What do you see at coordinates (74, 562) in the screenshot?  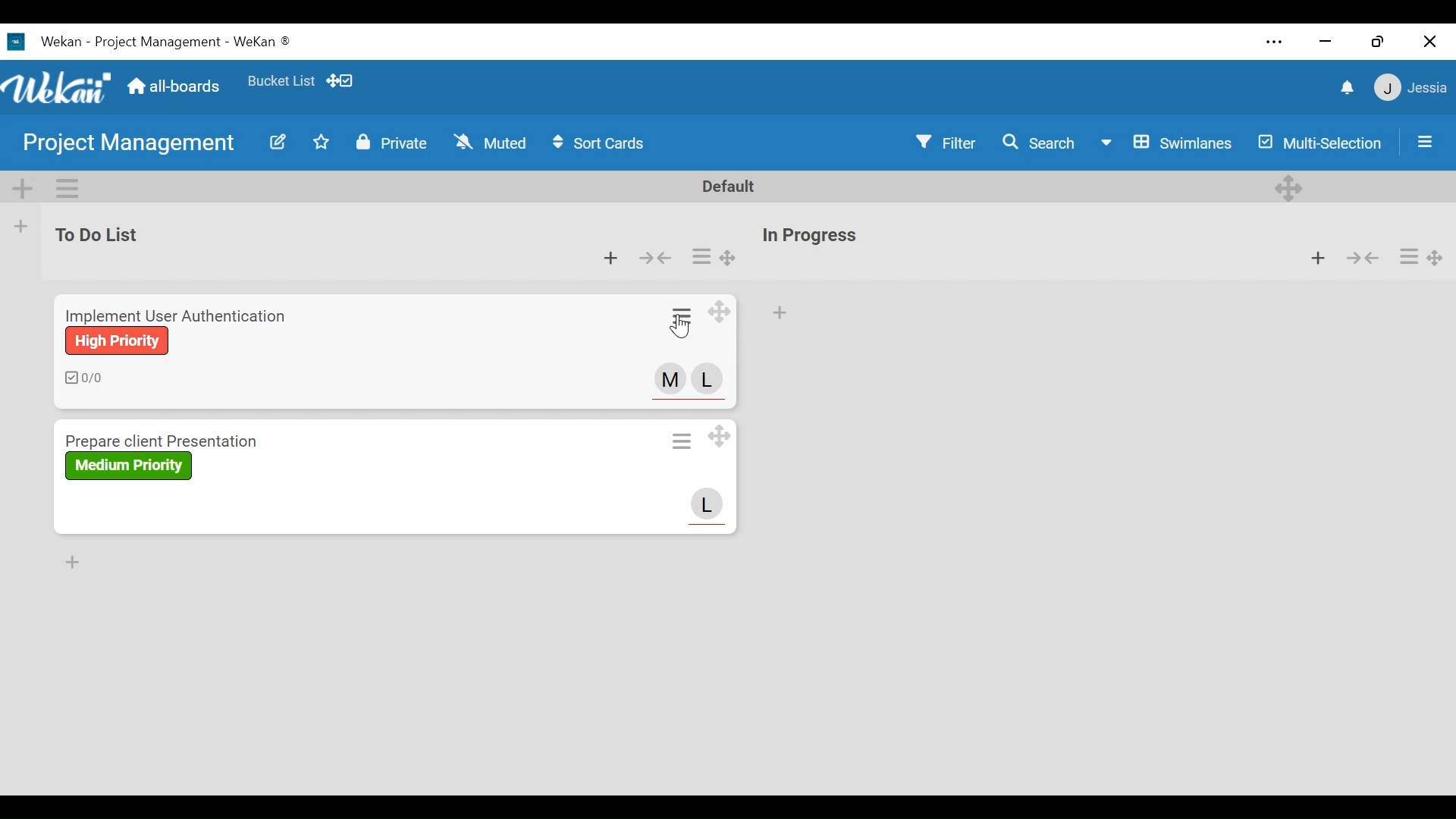 I see `Add Card to Bottom of the list` at bounding box center [74, 562].